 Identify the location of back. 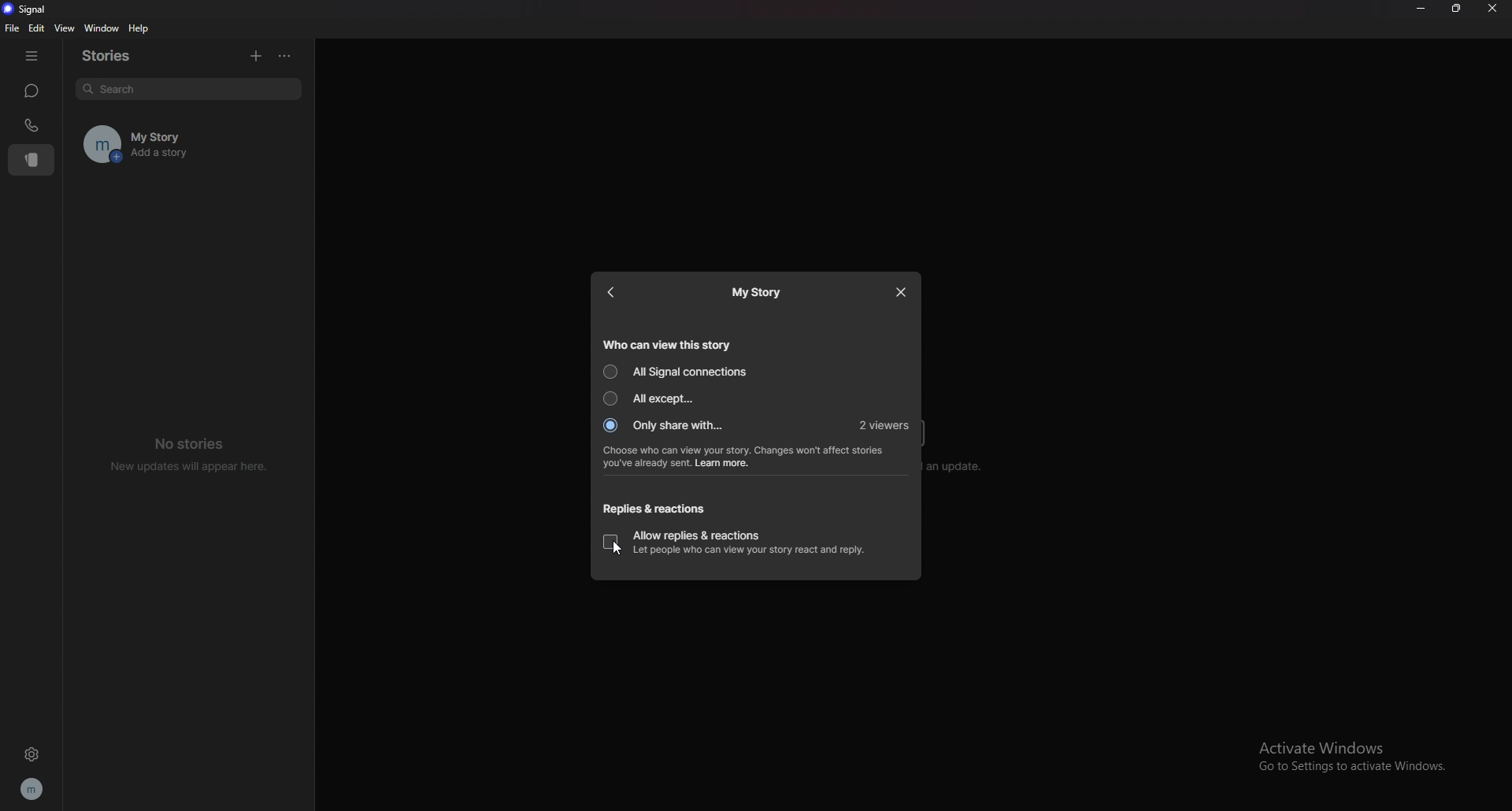
(618, 291).